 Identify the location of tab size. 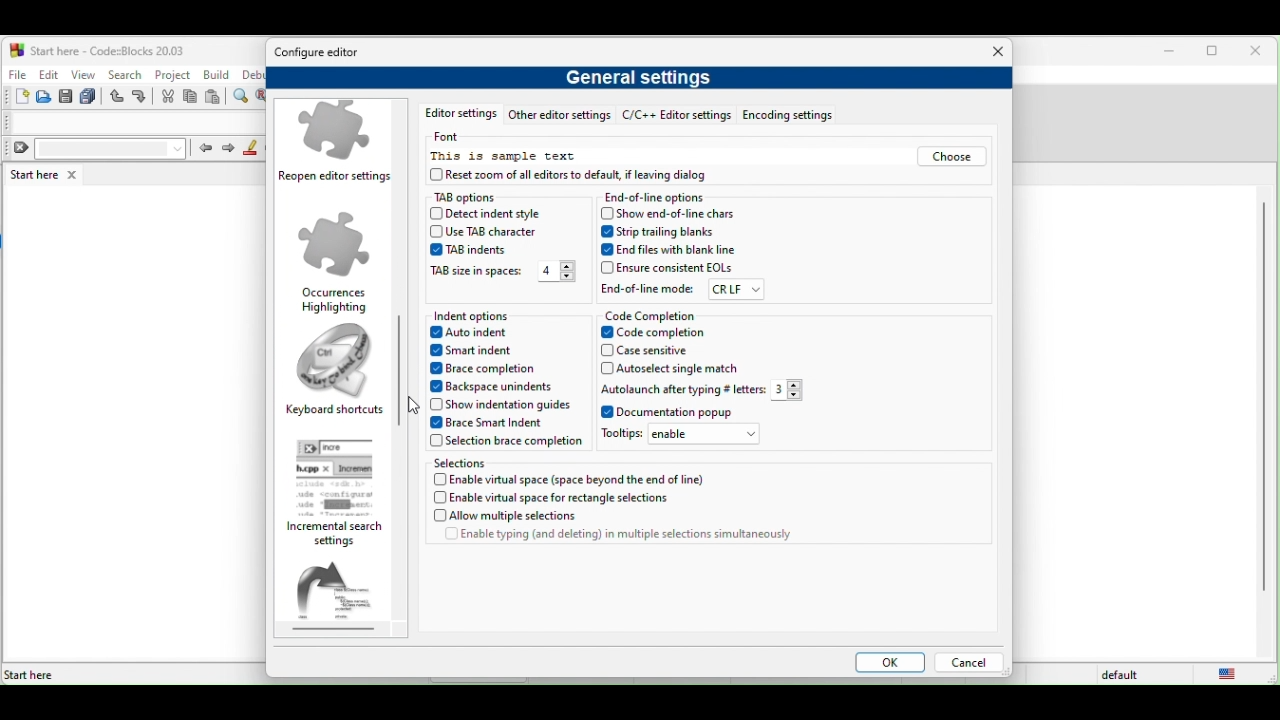
(476, 273).